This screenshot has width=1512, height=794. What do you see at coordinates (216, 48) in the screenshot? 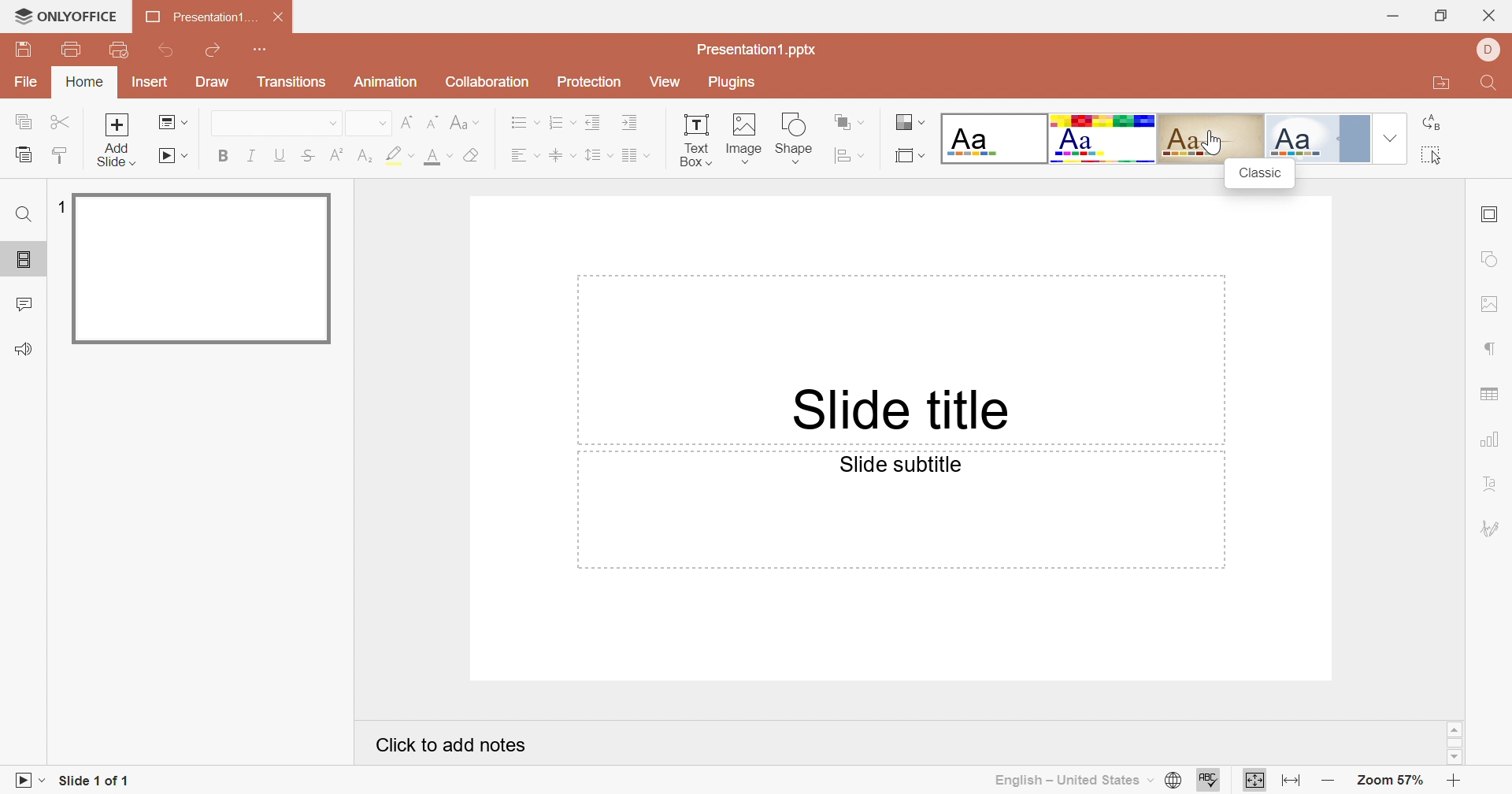
I see `Redo` at bounding box center [216, 48].